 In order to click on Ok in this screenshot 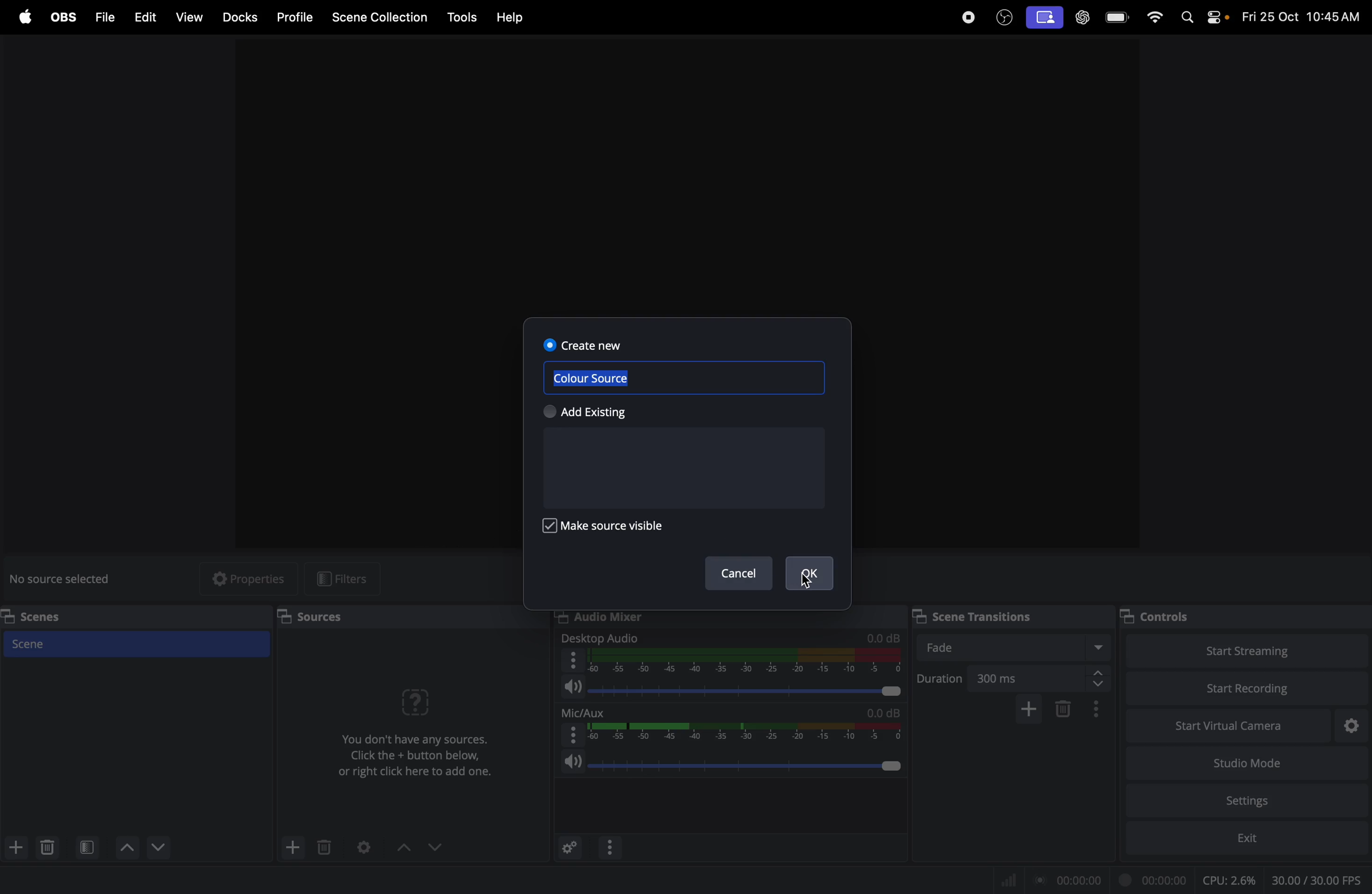, I will do `click(807, 572)`.